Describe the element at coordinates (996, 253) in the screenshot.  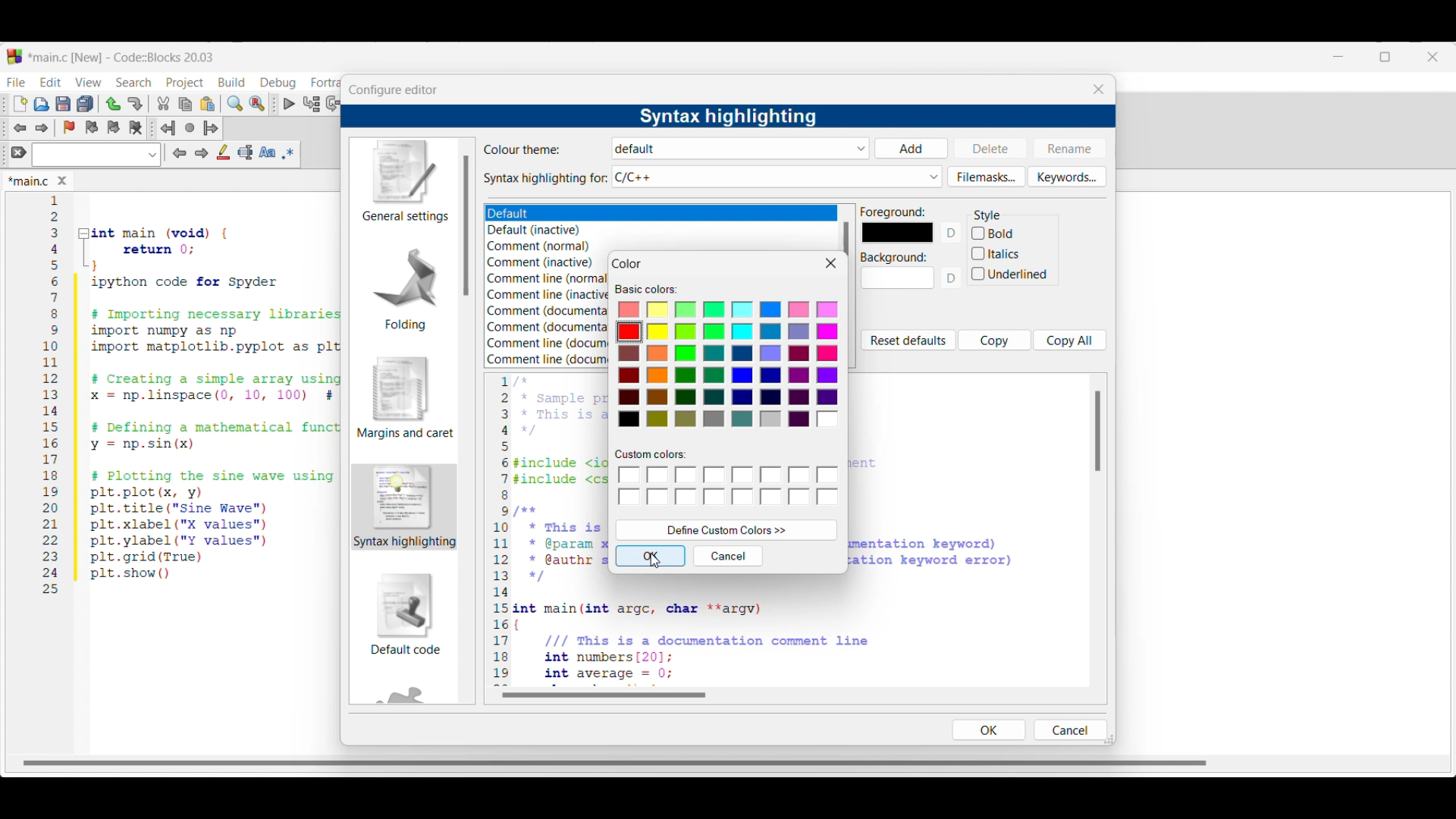
I see `italics` at that location.